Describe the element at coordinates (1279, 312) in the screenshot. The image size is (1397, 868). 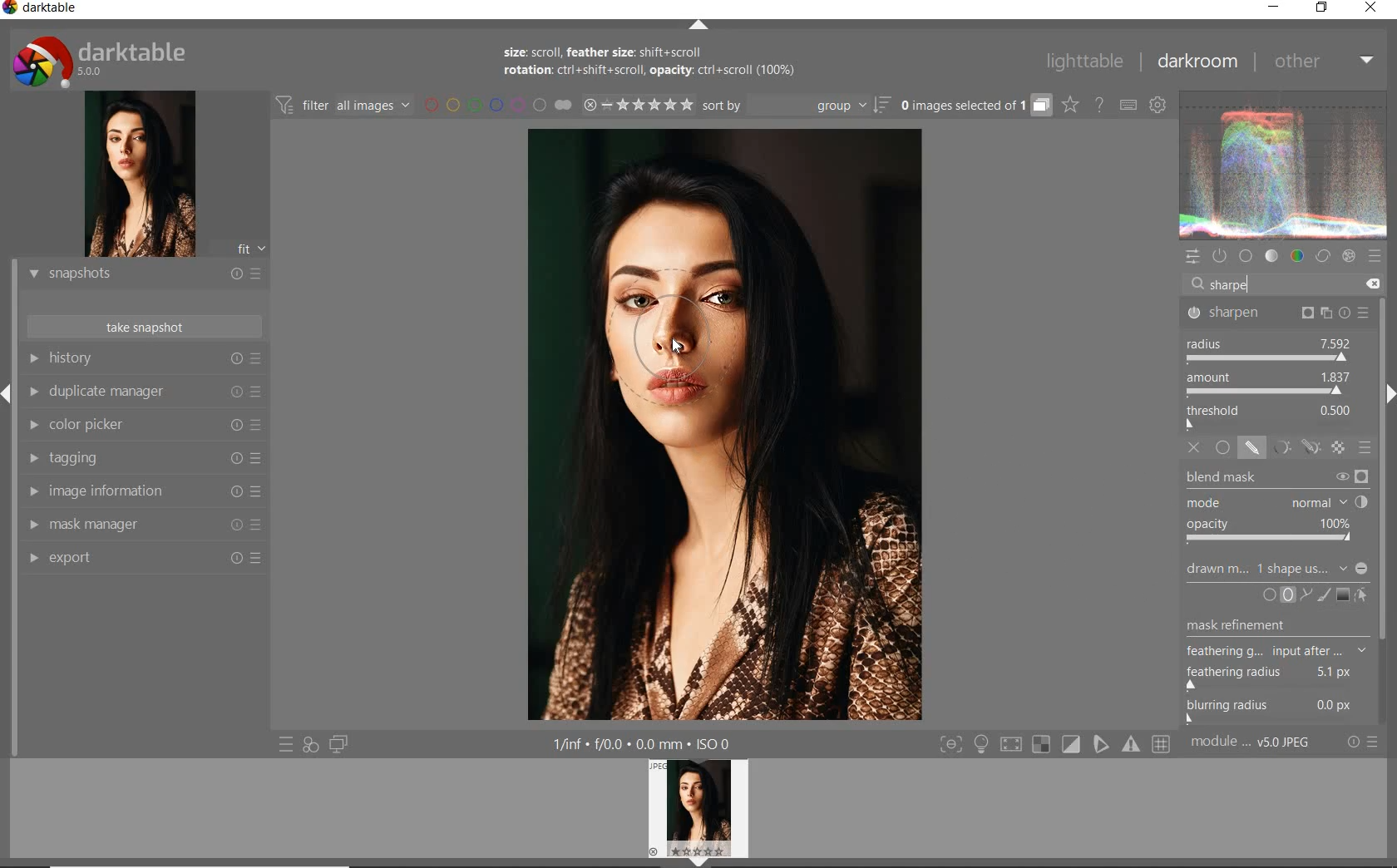
I see `SHARPEN` at that location.